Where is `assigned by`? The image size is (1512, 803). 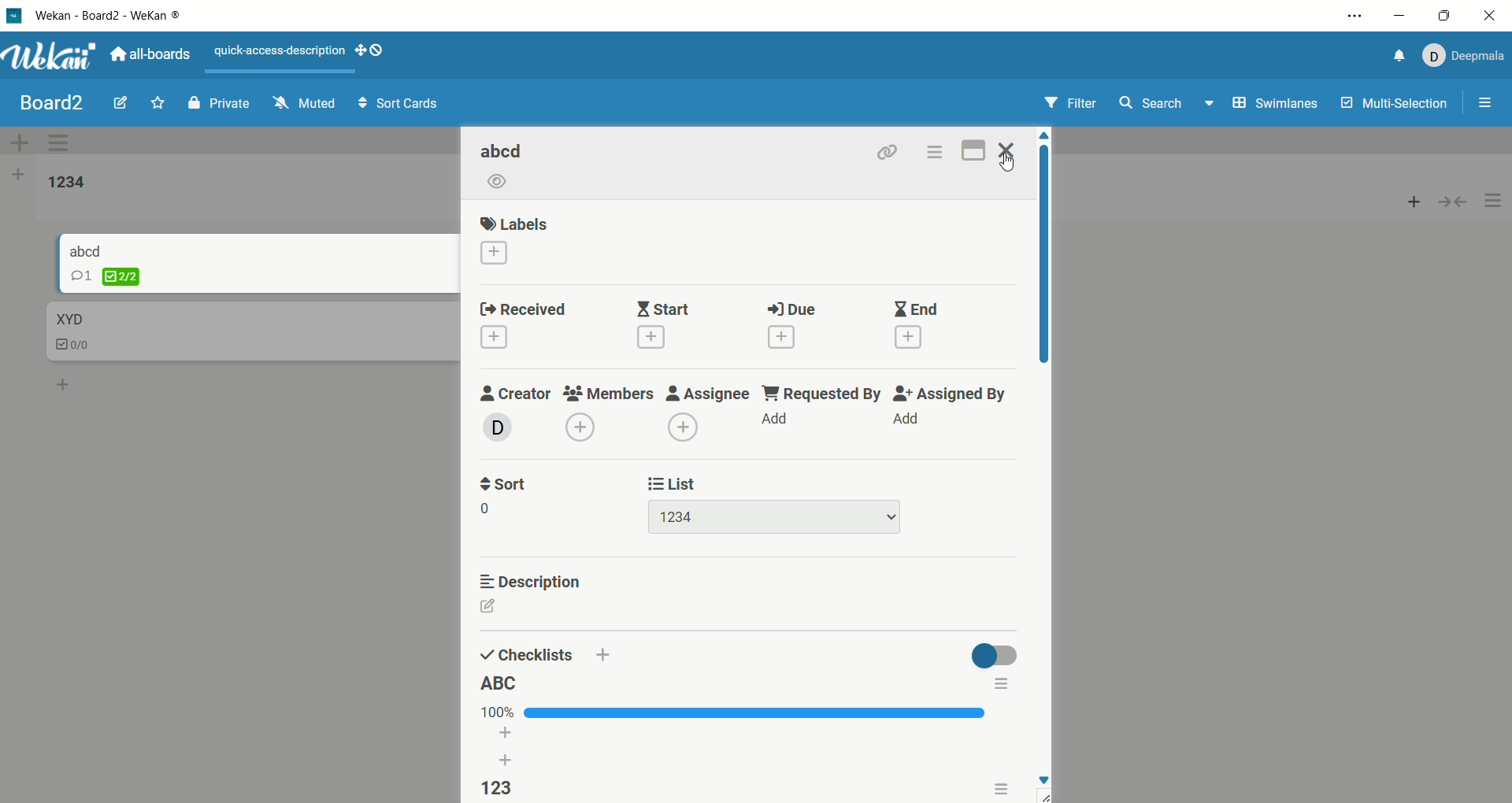
assigned by is located at coordinates (949, 402).